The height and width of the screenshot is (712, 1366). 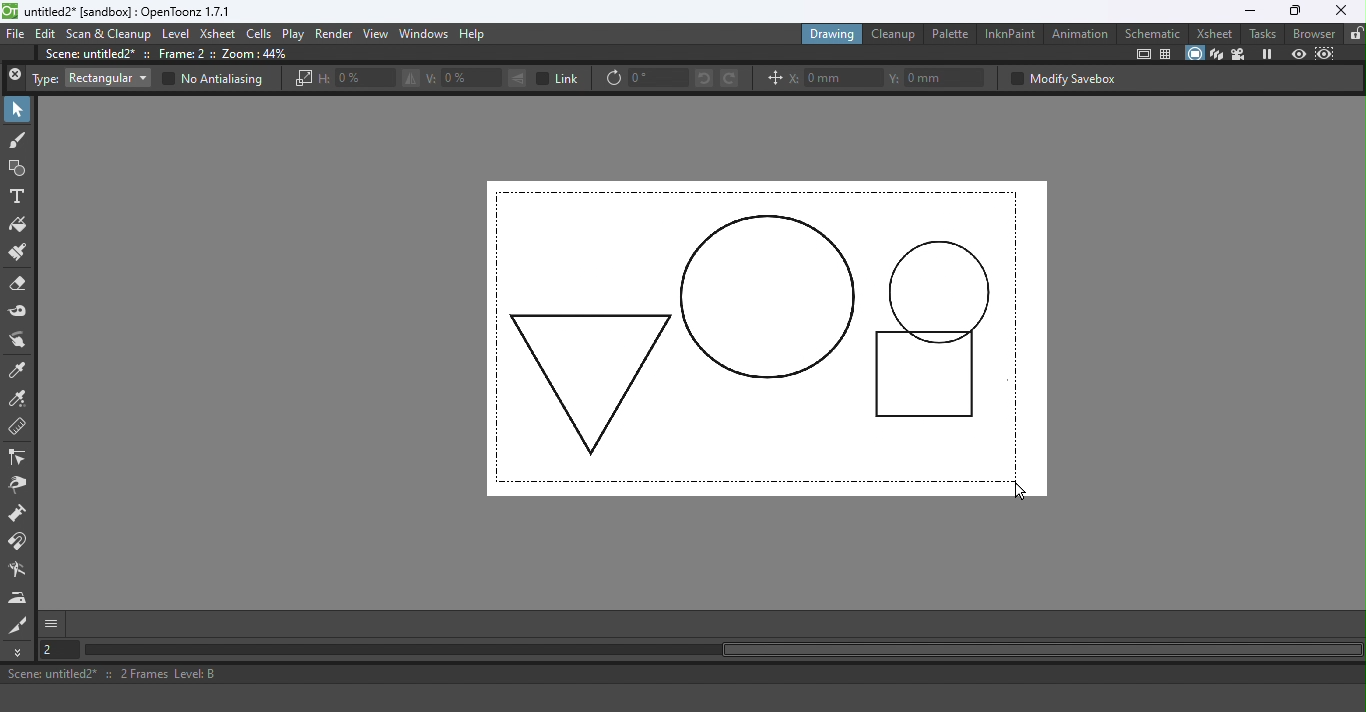 What do you see at coordinates (376, 34) in the screenshot?
I see `View` at bounding box center [376, 34].